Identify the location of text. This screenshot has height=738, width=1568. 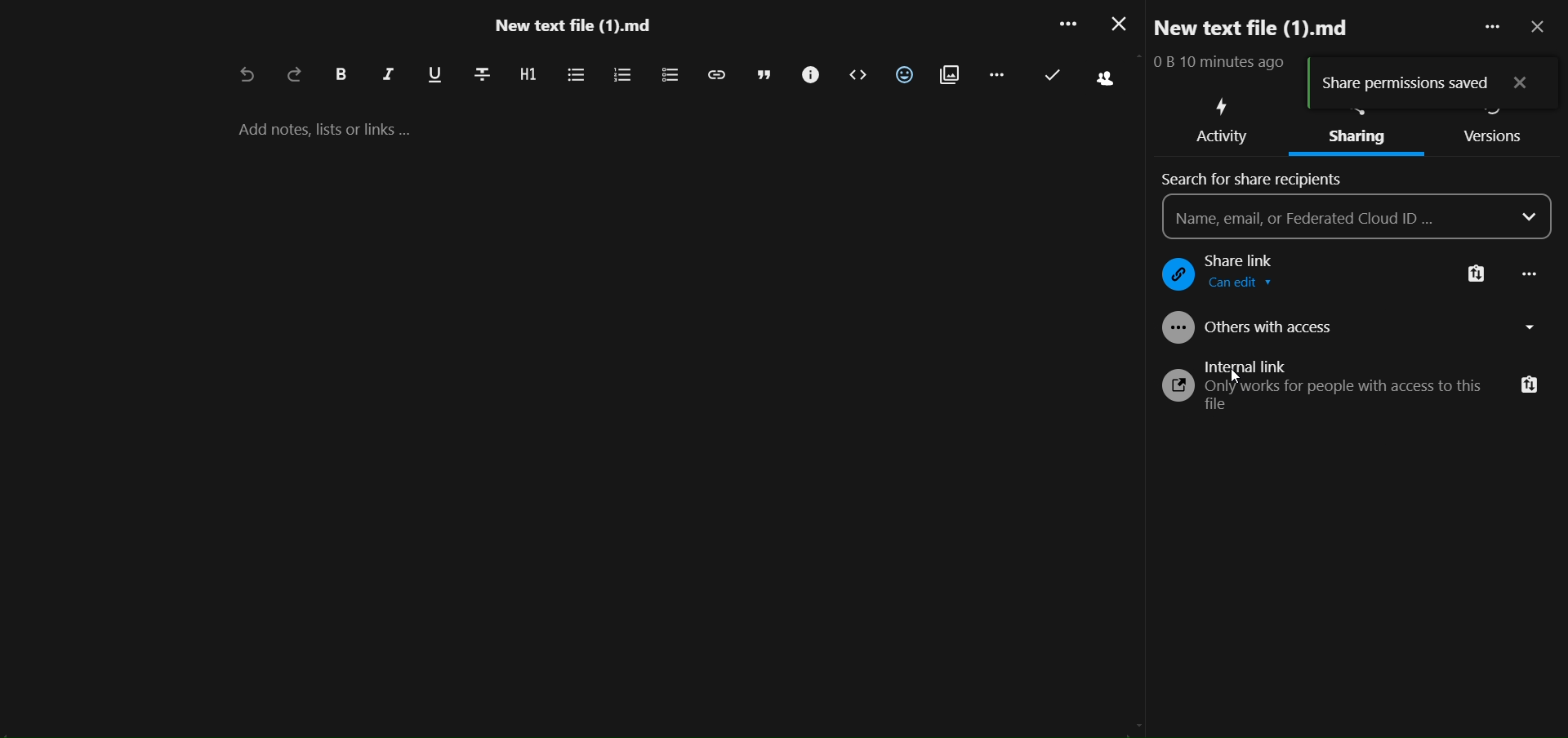
(1347, 397).